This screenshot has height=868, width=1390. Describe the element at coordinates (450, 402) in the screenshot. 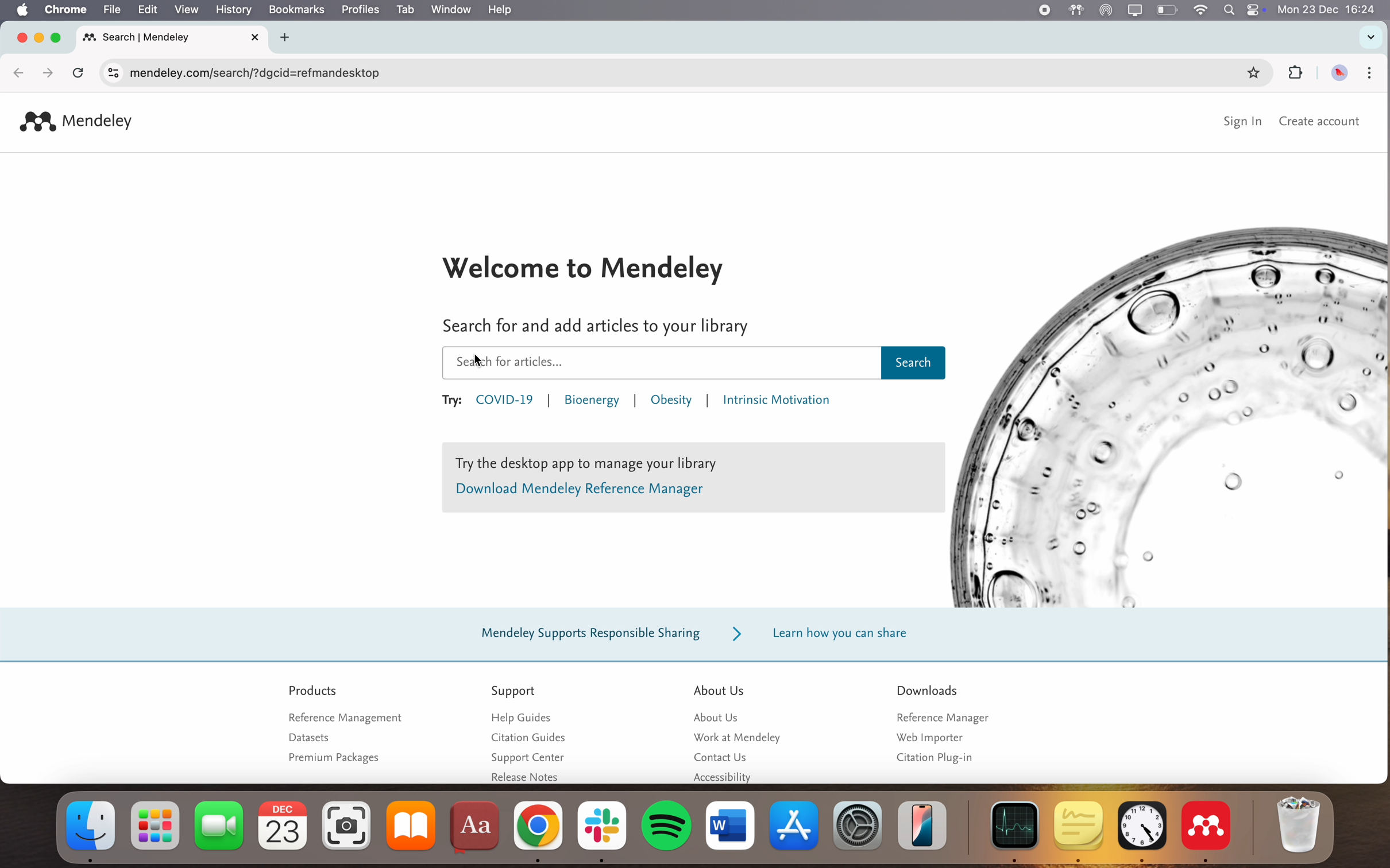

I see `try` at that location.